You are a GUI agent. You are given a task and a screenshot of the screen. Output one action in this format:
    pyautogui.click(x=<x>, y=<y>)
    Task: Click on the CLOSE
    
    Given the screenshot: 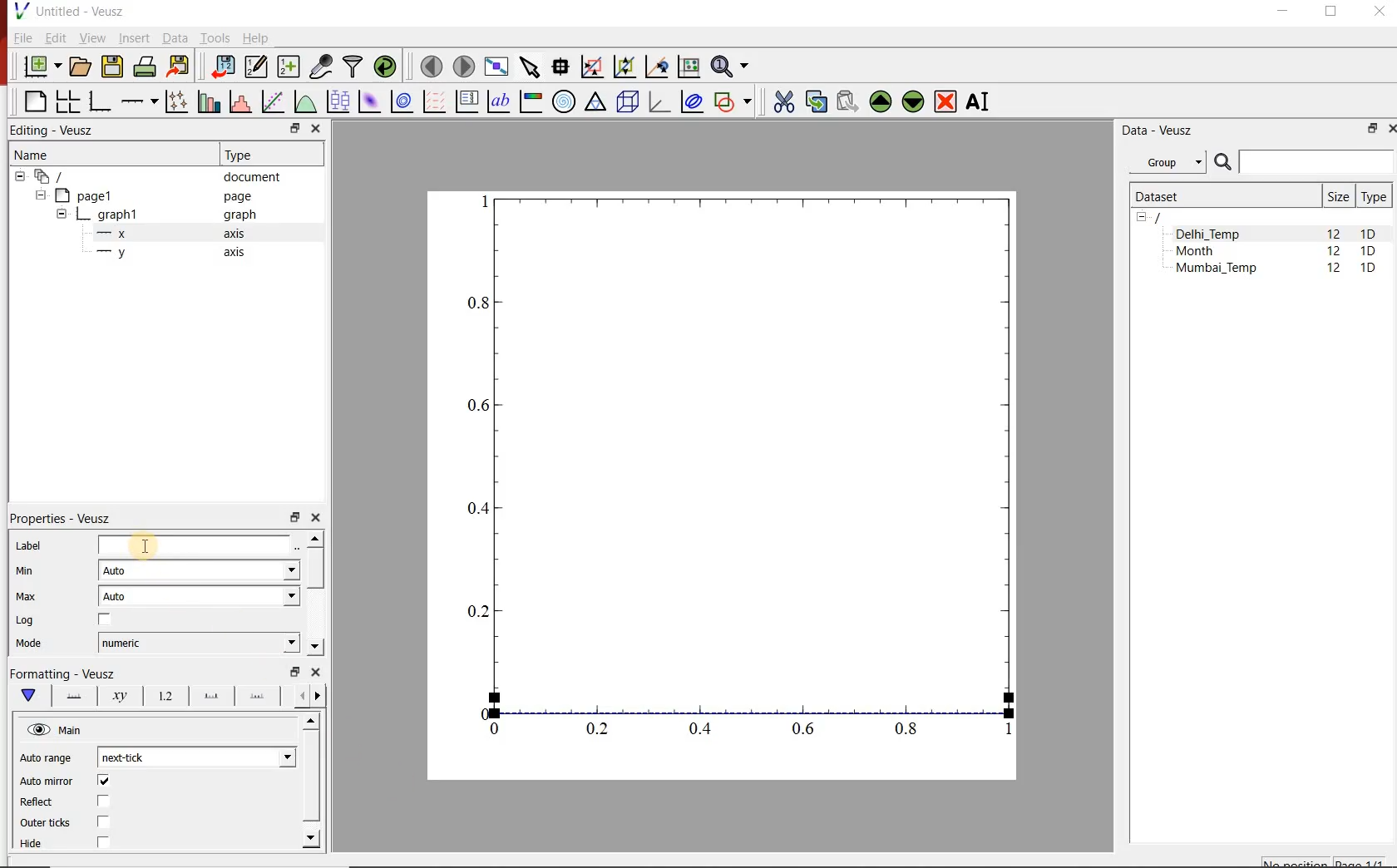 What is the action you would take?
    pyautogui.click(x=1390, y=129)
    